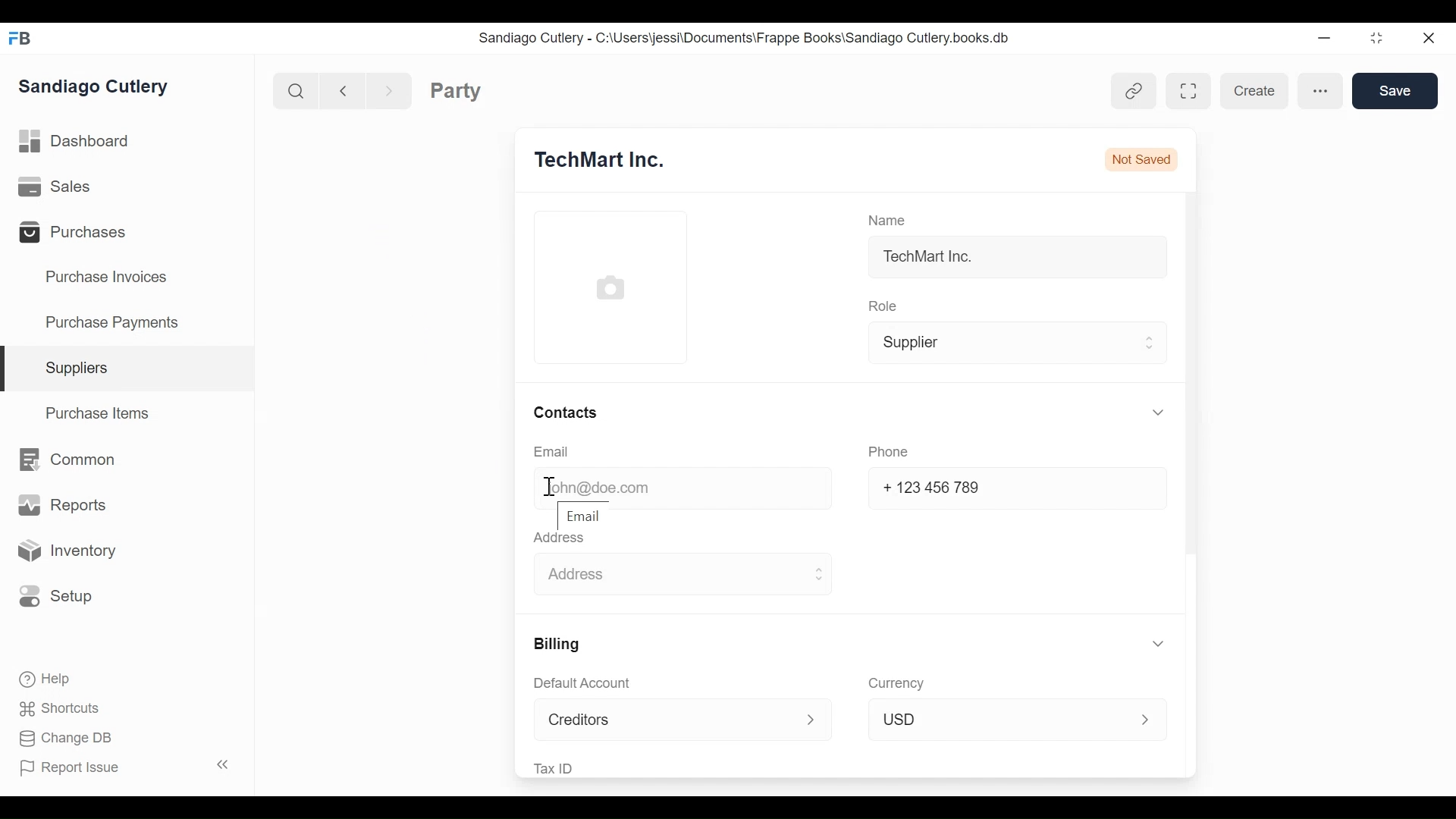 This screenshot has width=1456, height=819. Describe the element at coordinates (1430, 41) in the screenshot. I see `close` at that location.